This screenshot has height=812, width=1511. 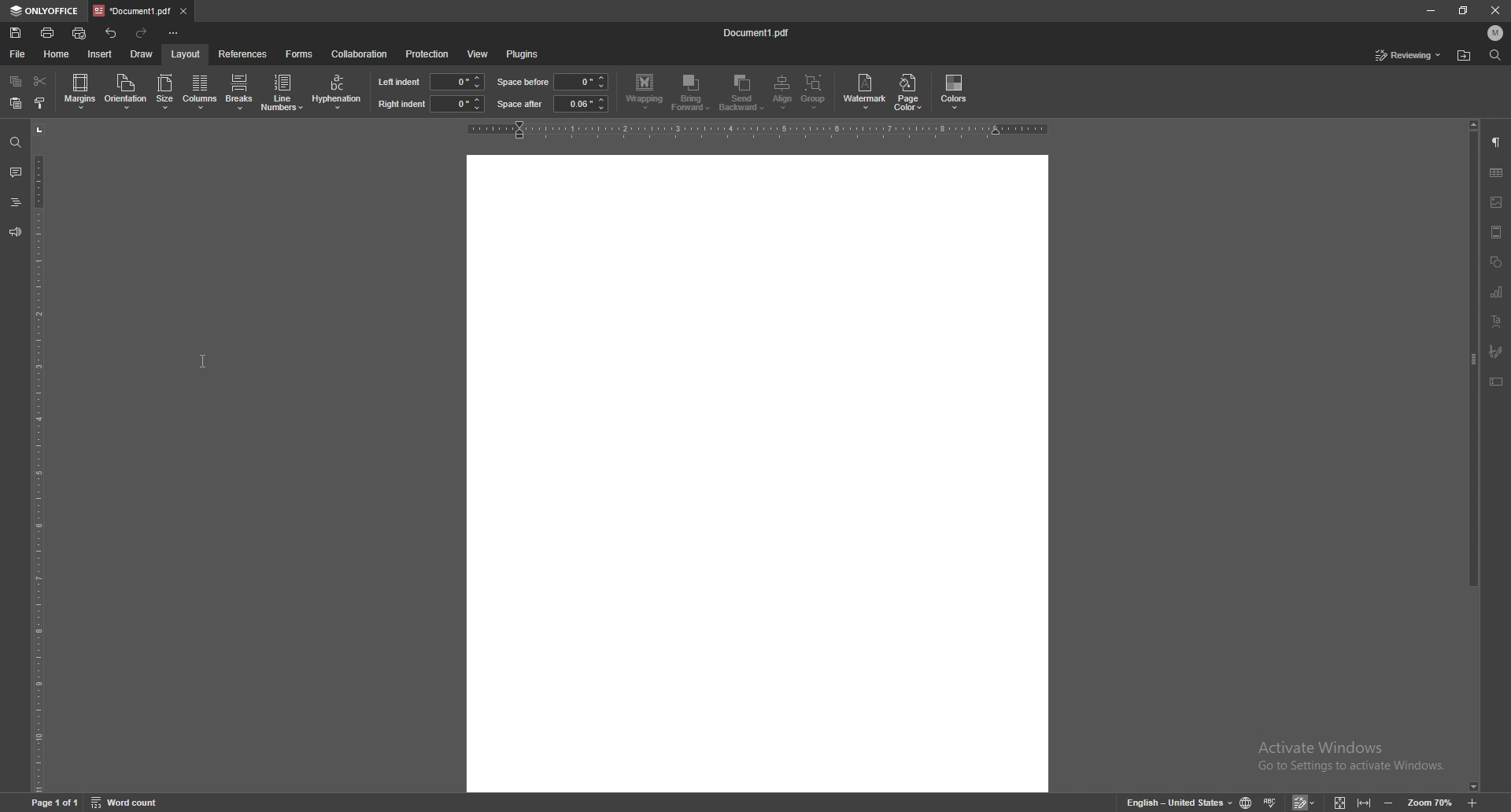 What do you see at coordinates (399, 81) in the screenshot?
I see `left indent` at bounding box center [399, 81].